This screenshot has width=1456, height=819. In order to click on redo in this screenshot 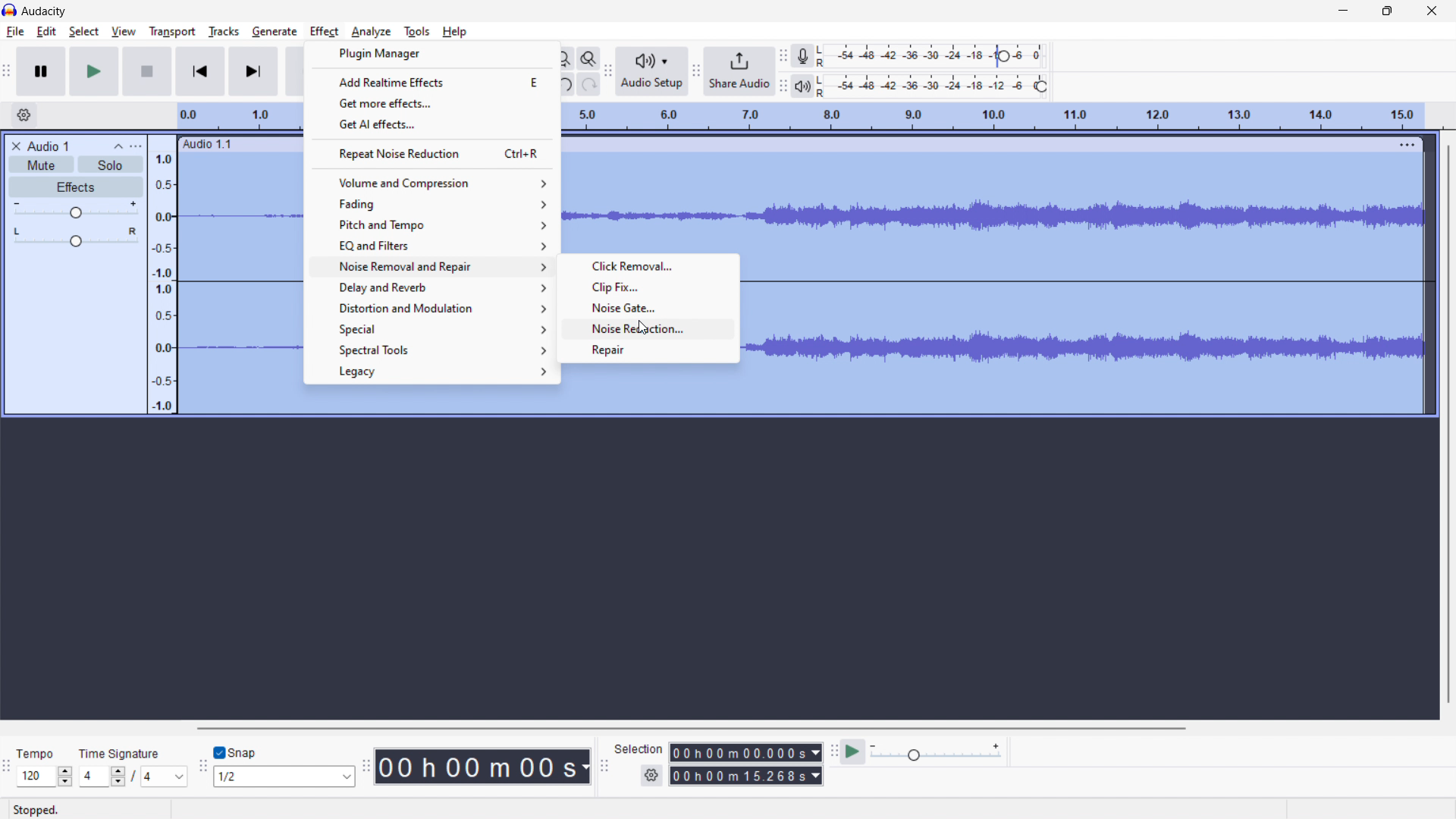, I will do `click(589, 83)`.